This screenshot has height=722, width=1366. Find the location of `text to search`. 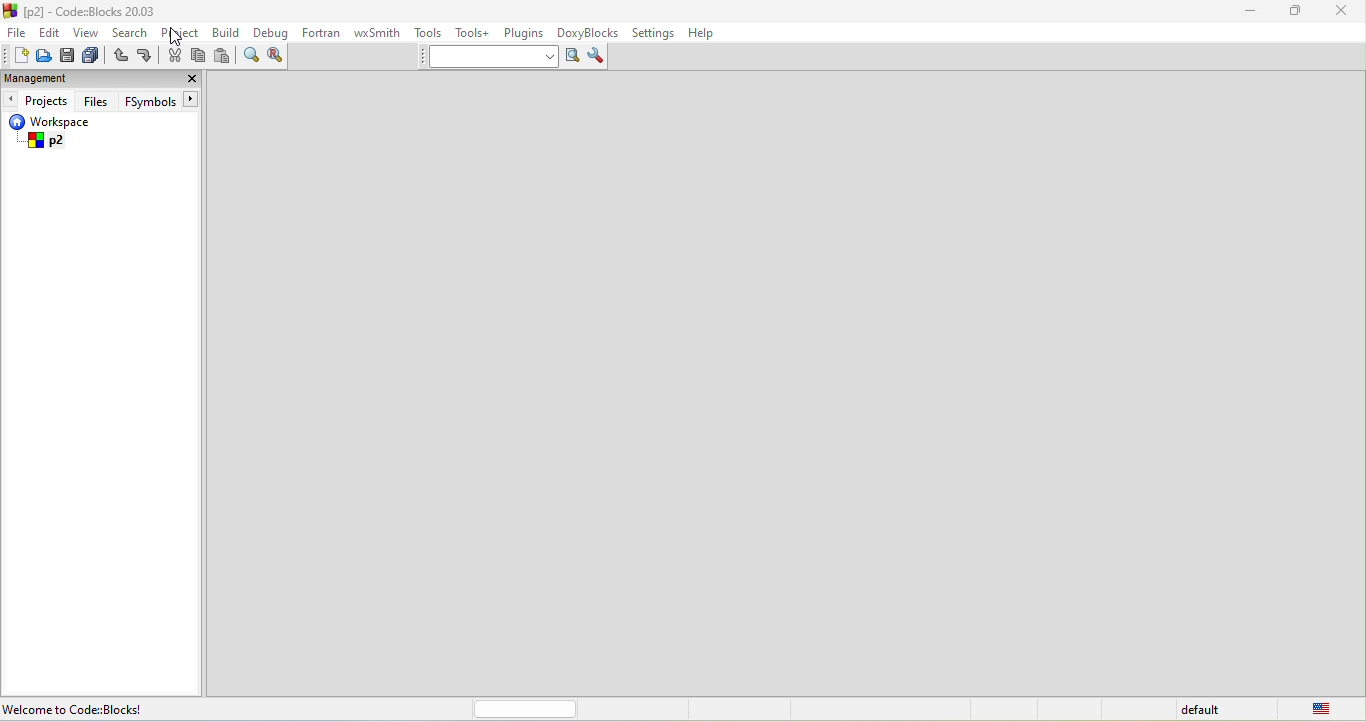

text to search is located at coordinates (489, 59).